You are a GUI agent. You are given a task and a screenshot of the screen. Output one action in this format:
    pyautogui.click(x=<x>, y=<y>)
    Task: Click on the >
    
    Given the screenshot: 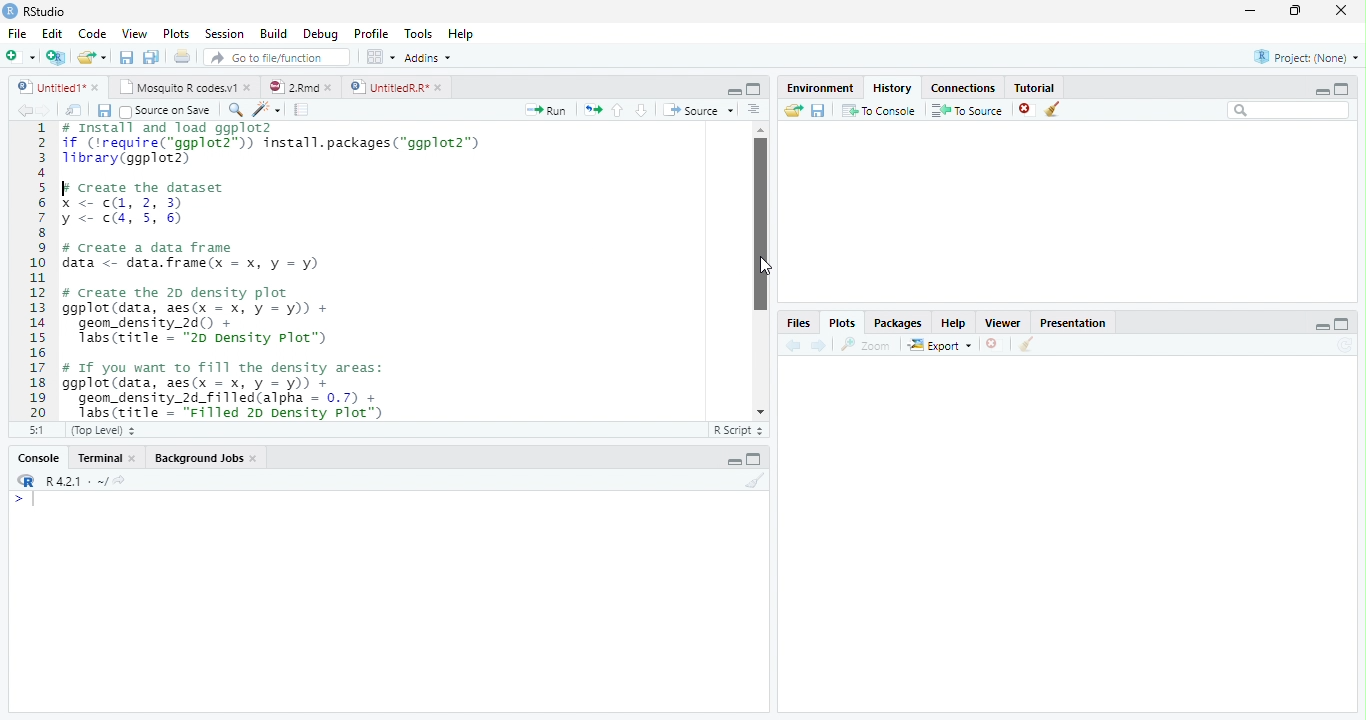 What is the action you would take?
    pyautogui.click(x=24, y=500)
    